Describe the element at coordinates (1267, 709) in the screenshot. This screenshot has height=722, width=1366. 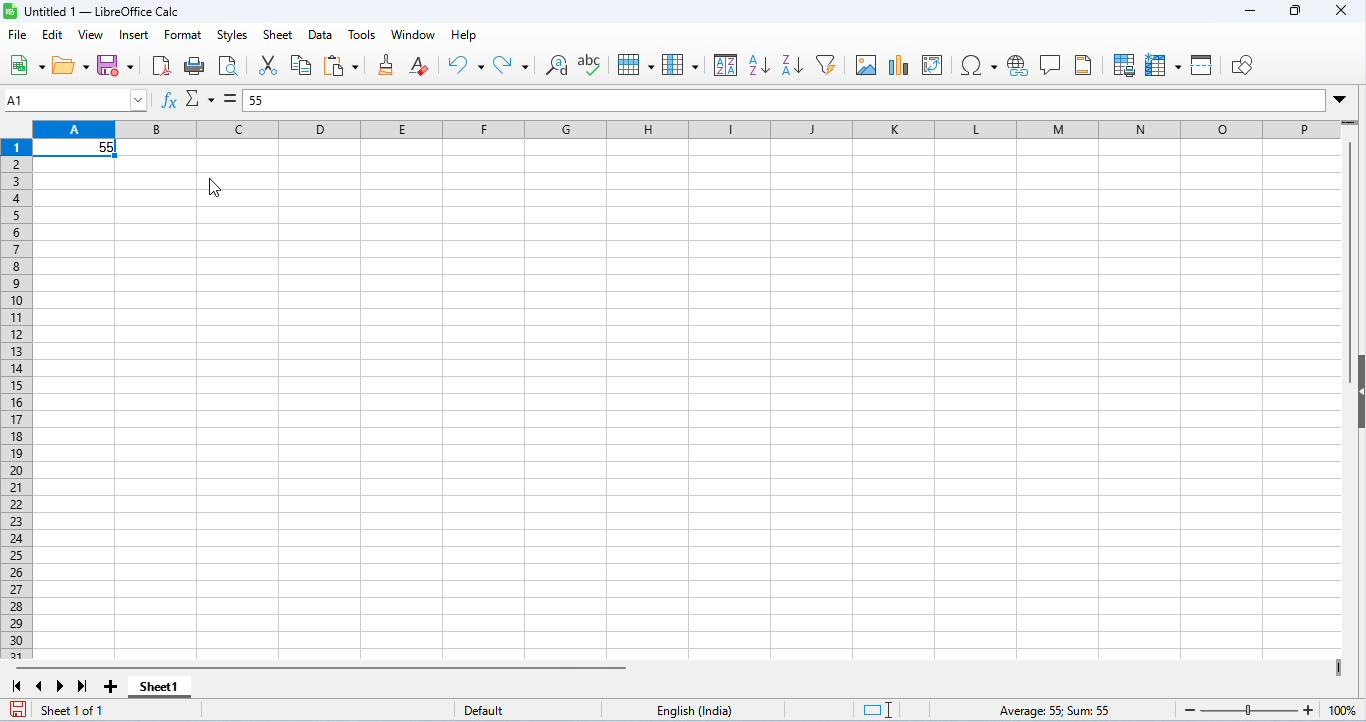
I see `zoom` at that location.